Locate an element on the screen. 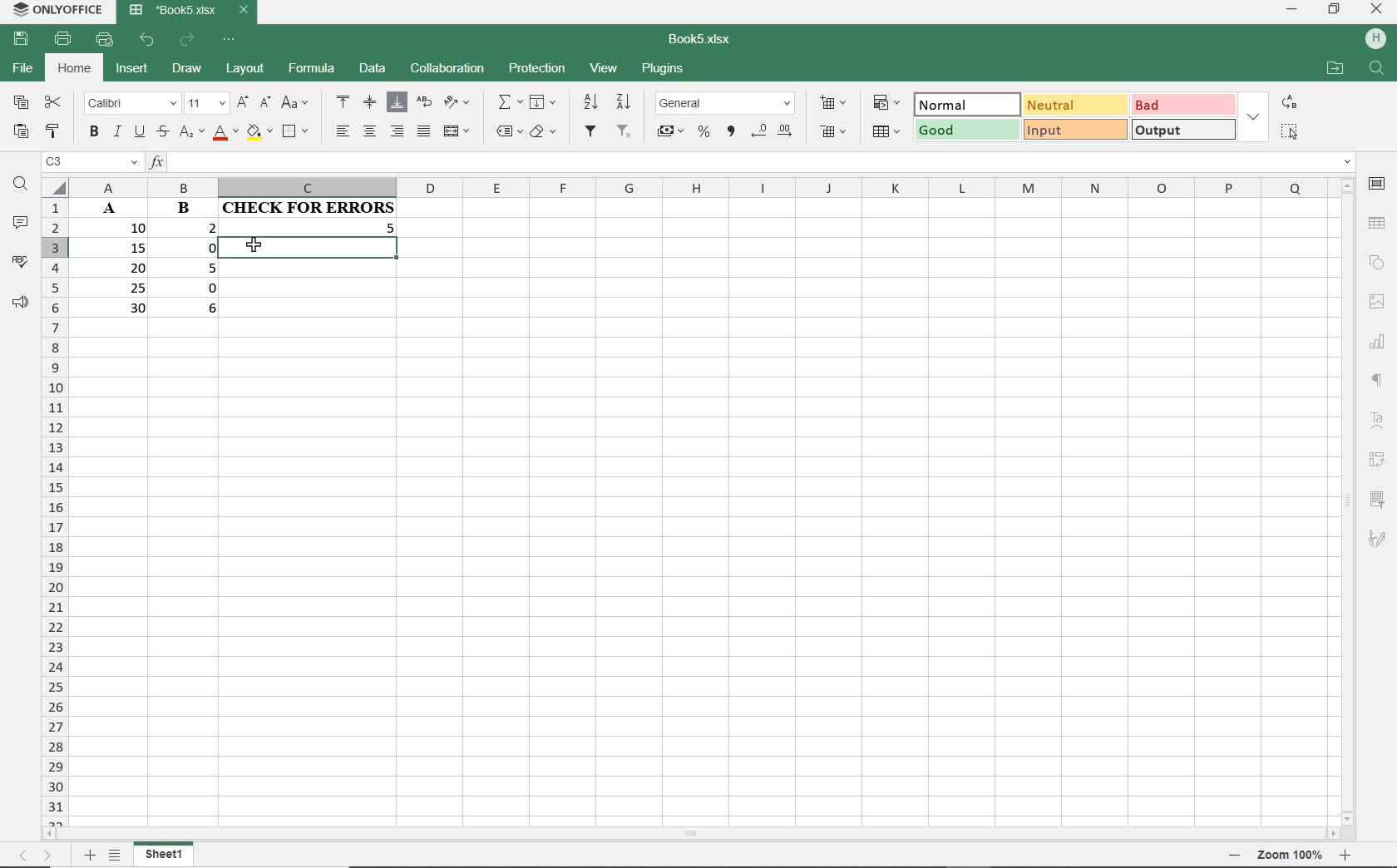 This screenshot has width=1397, height=868.  is located at coordinates (1379, 301).